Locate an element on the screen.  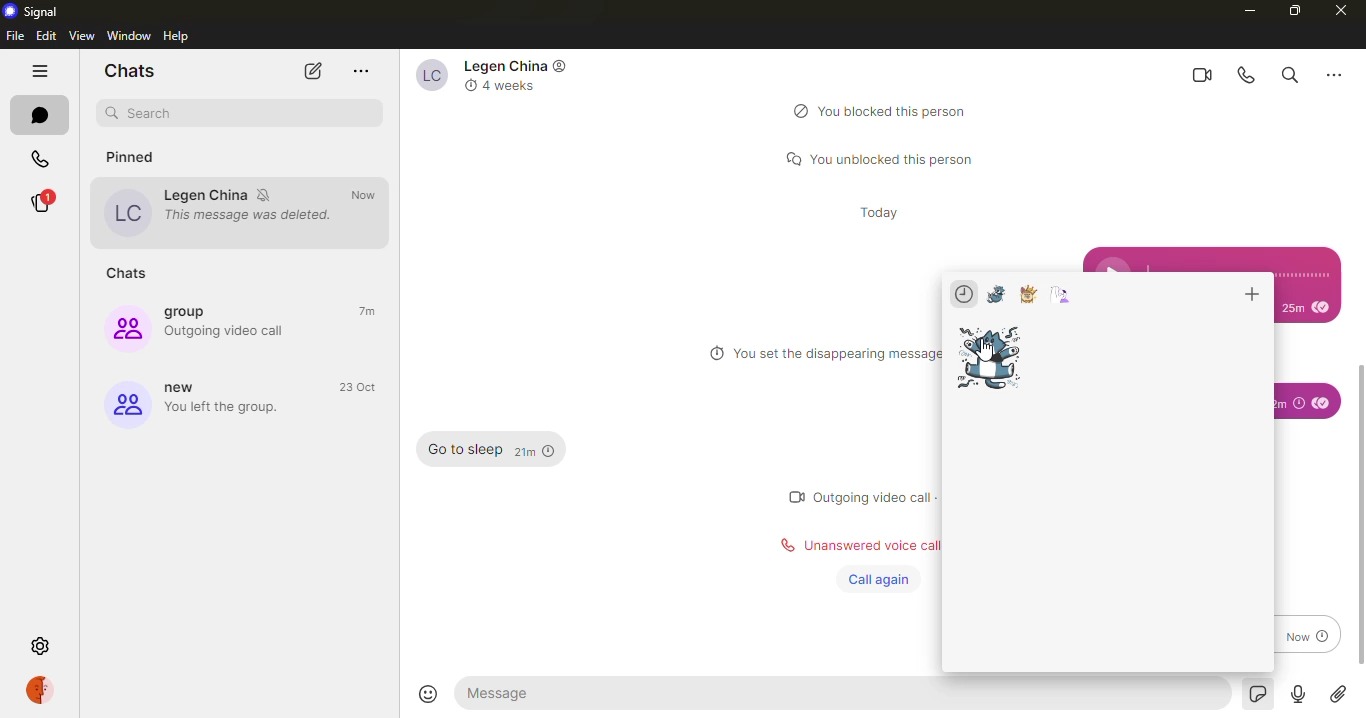
chats is located at coordinates (42, 115).